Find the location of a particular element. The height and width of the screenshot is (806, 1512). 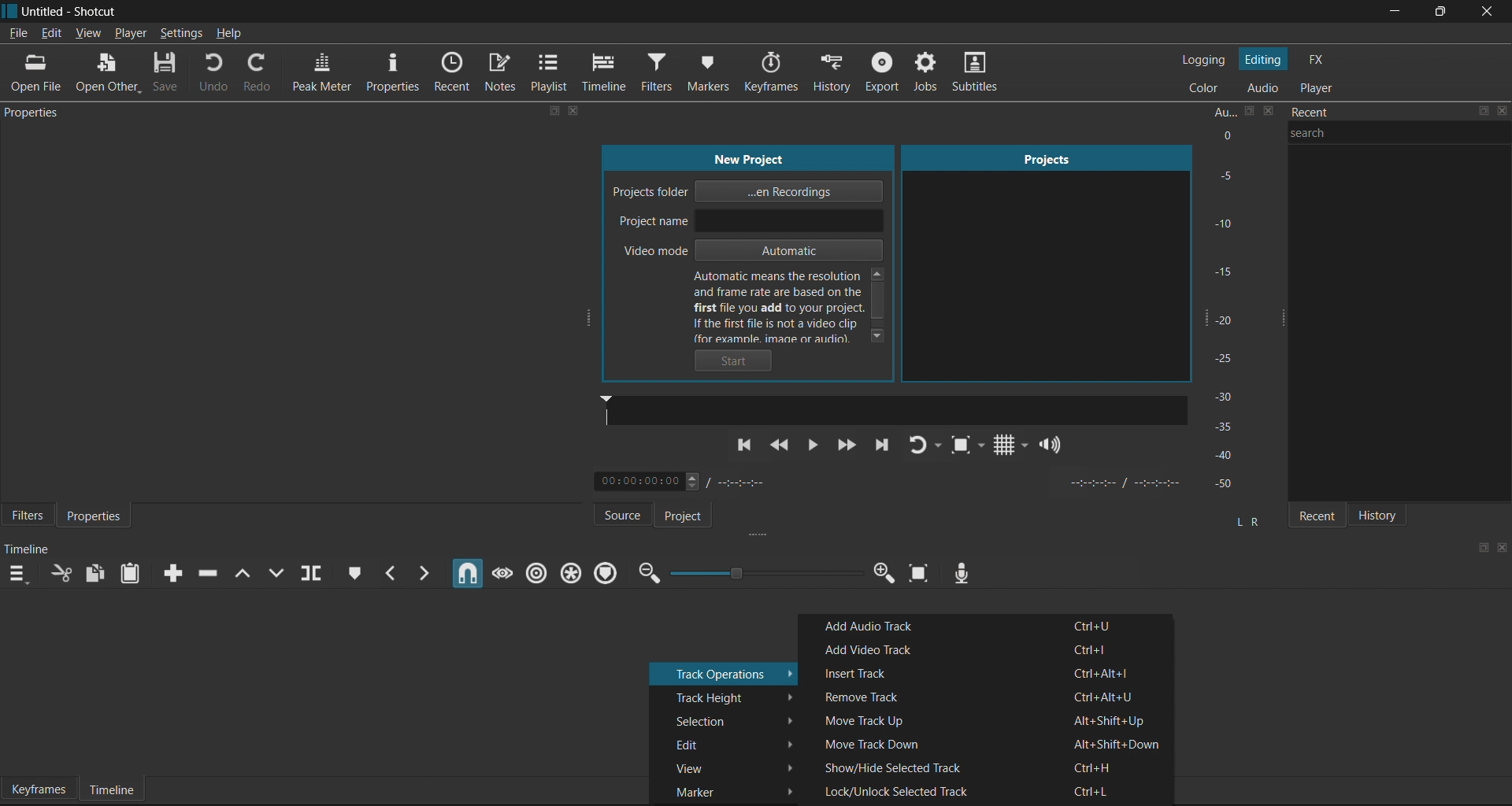

Keyframes is located at coordinates (779, 72).